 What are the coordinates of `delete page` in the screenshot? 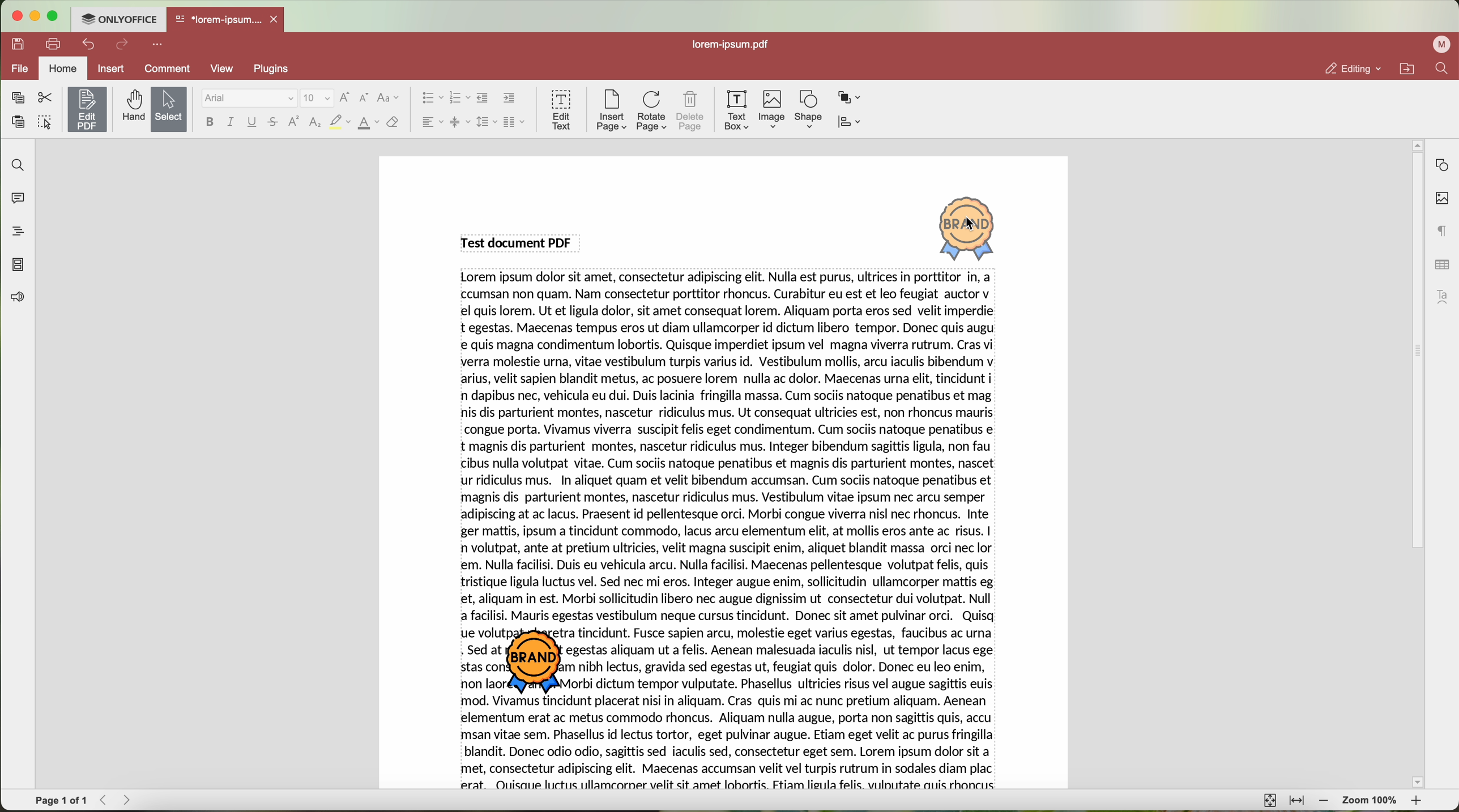 It's located at (691, 113).